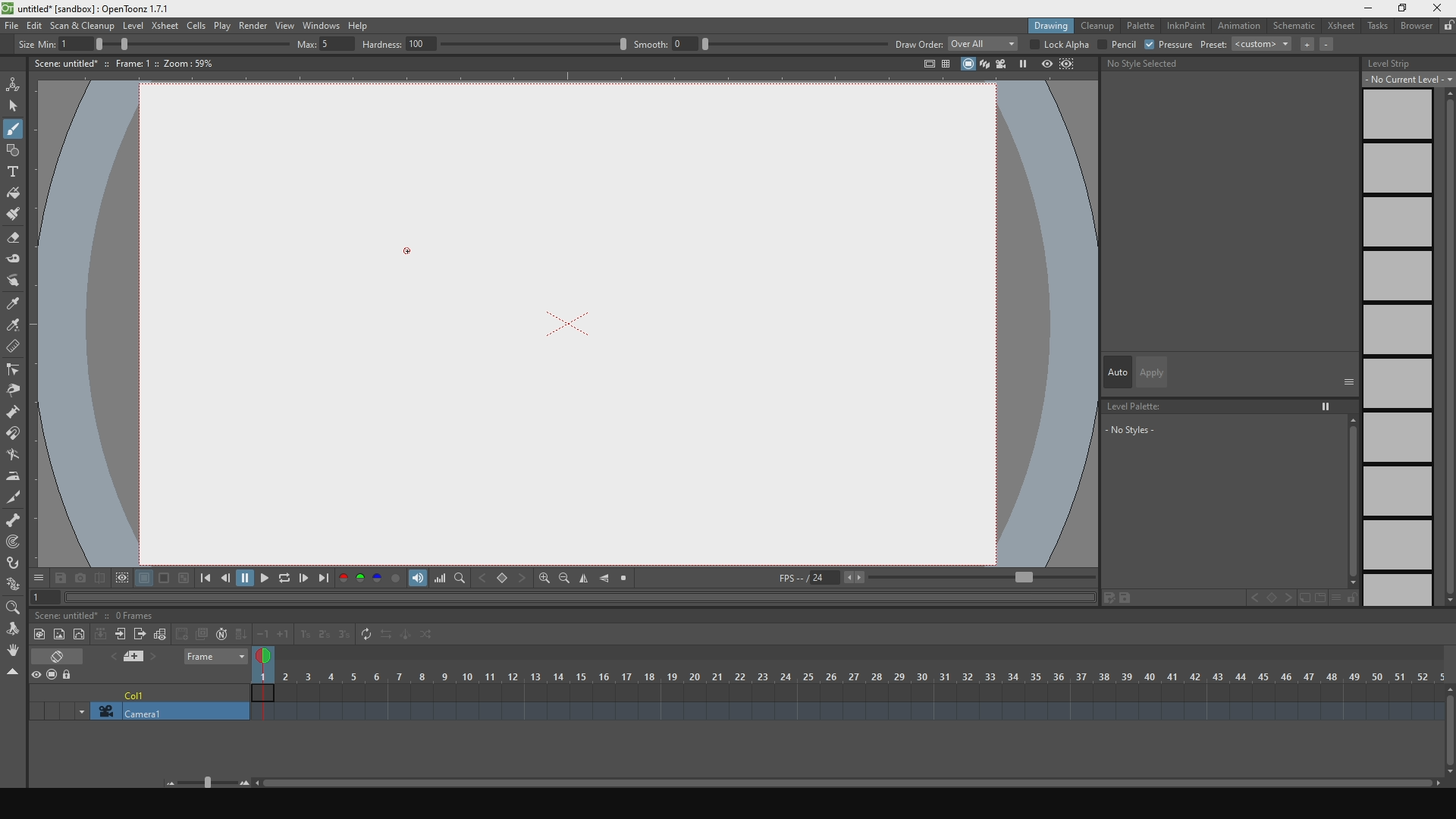  What do you see at coordinates (182, 580) in the screenshot?
I see `black and white background` at bounding box center [182, 580].